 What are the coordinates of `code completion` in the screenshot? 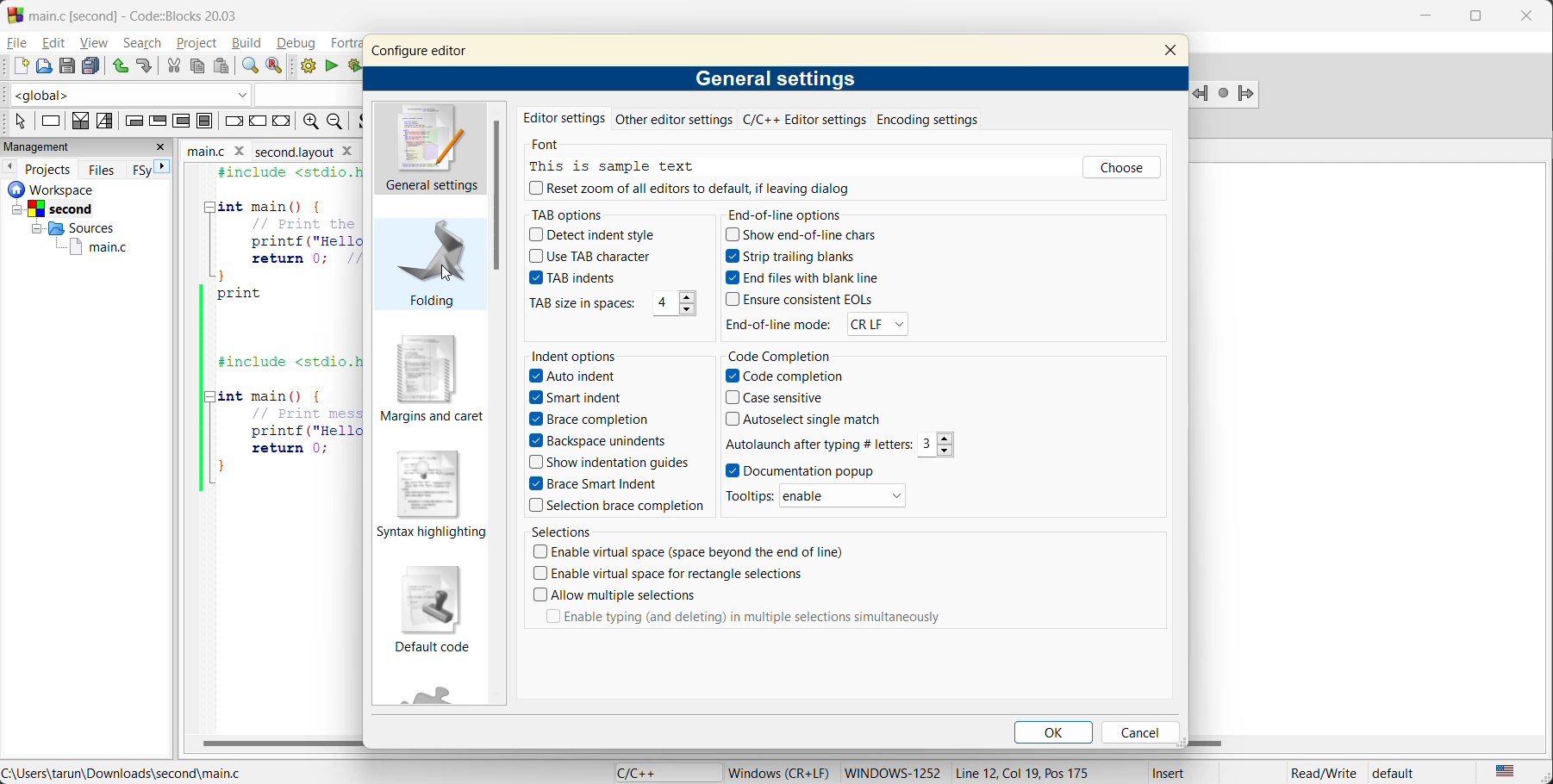 It's located at (852, 353).